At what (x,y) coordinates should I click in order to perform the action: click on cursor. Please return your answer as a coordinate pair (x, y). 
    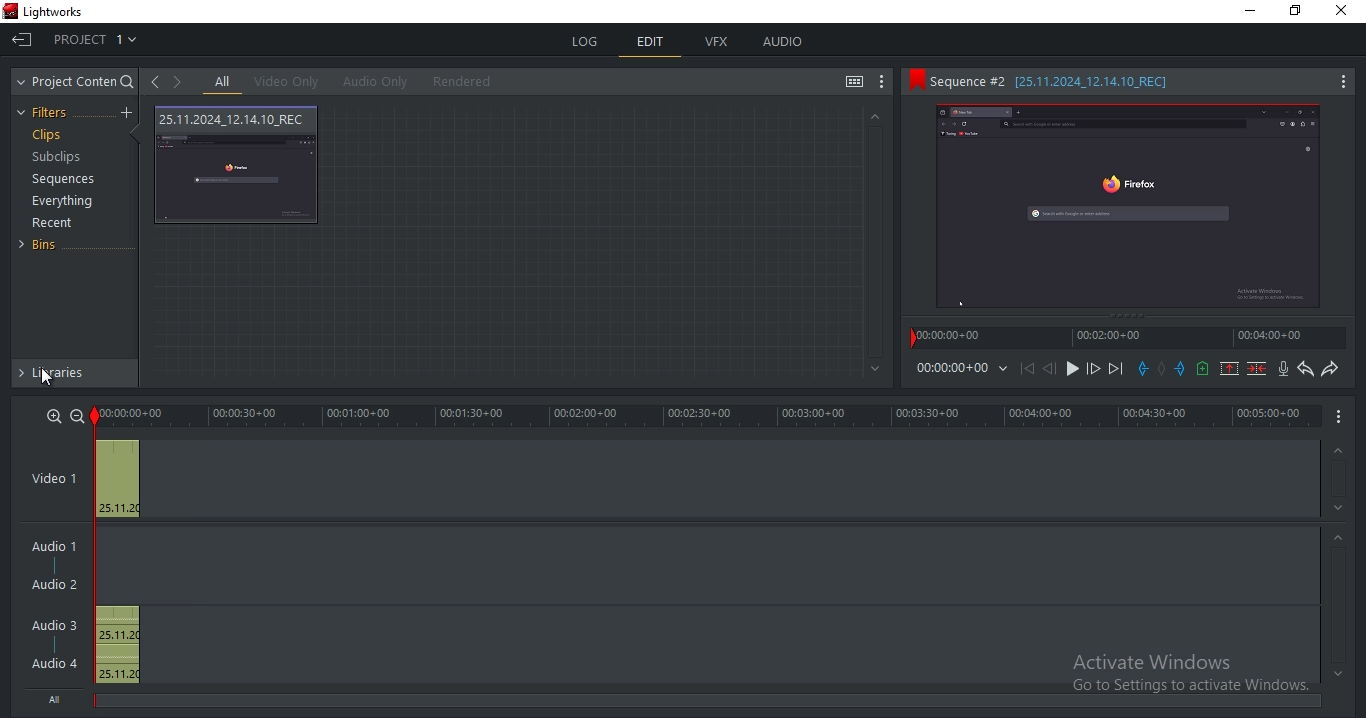
    Looking at the image, I should click on (49, 380).